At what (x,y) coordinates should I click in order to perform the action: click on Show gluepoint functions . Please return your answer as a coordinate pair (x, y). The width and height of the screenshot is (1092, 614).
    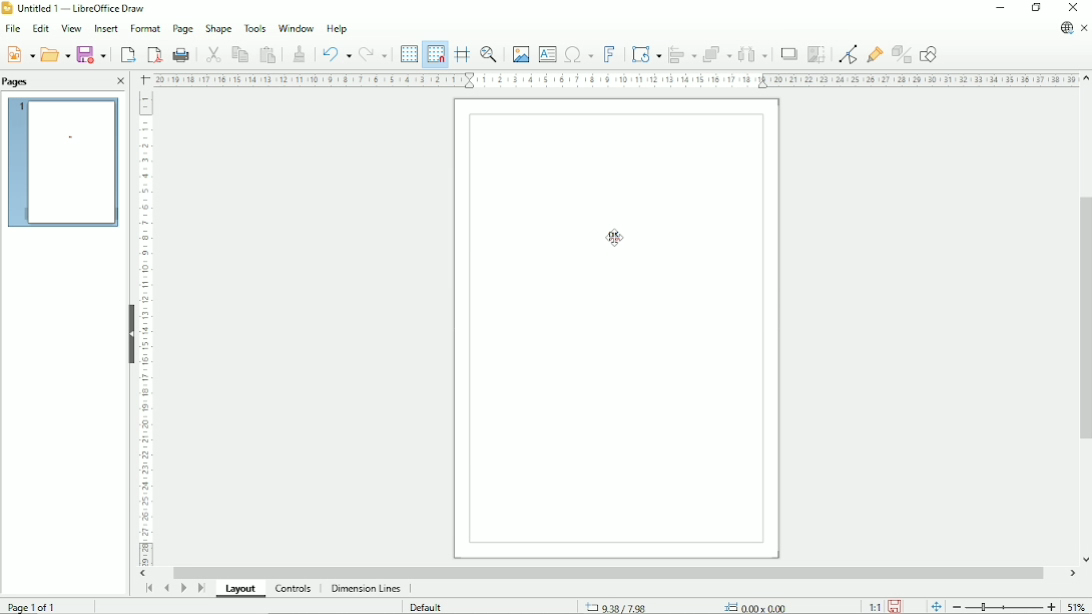
    Looking at the image, I should click on (875, 54).